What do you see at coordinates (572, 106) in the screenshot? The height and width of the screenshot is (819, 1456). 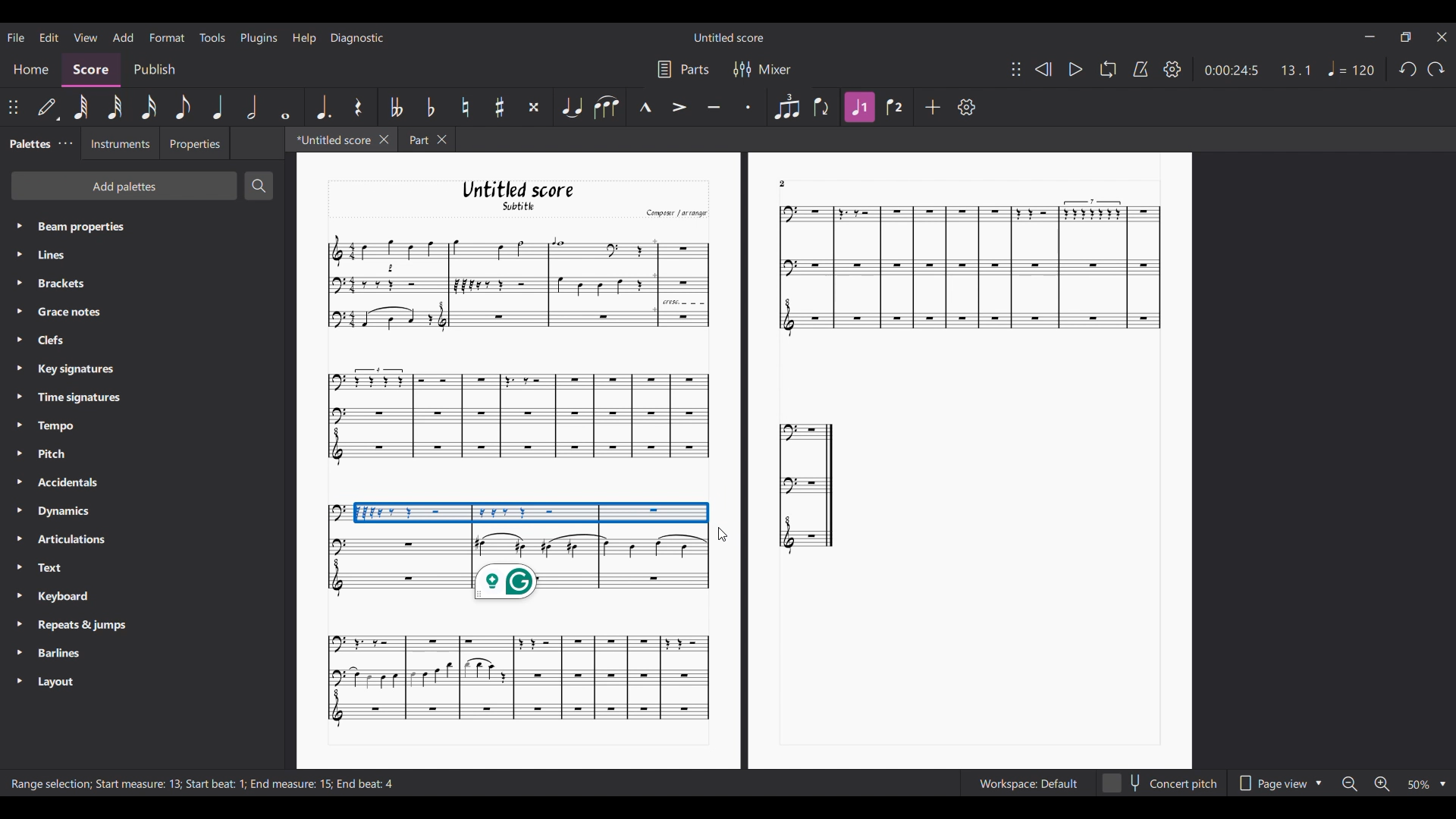 I see `Tie` at bounding box center [572, 106].